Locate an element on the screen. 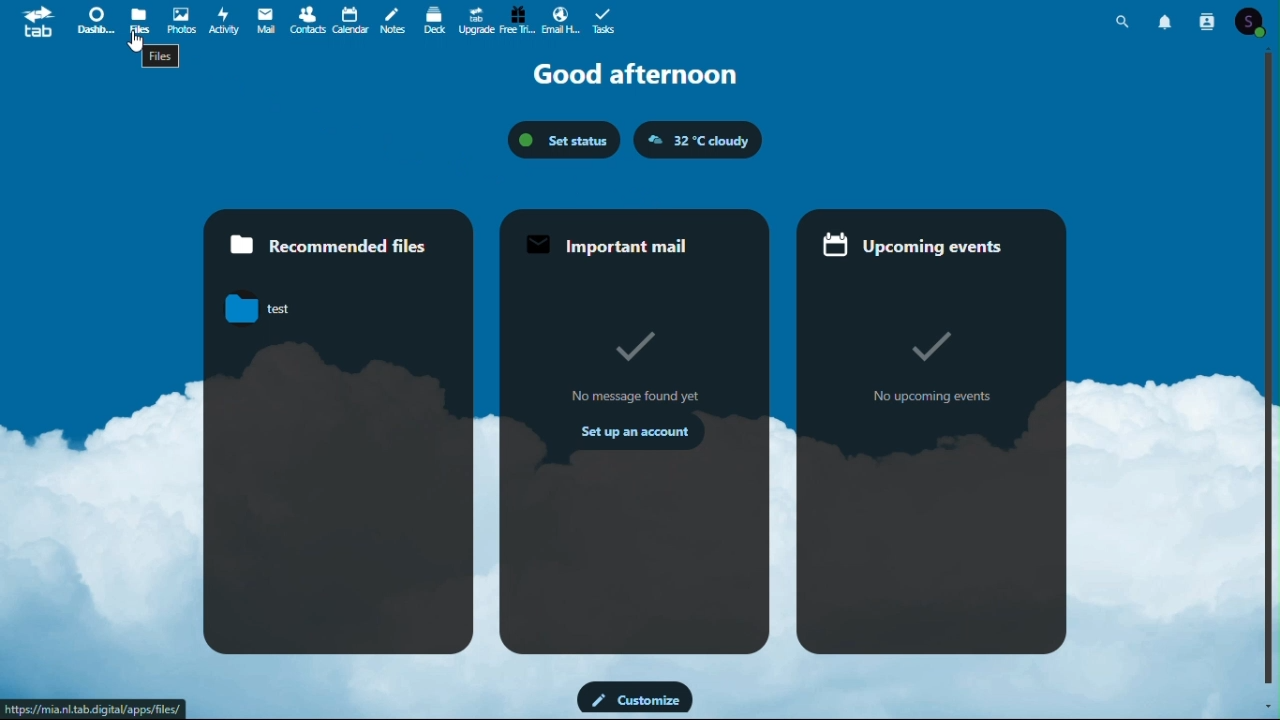 The height and width of the screenshot is (720, 1280). right option is located at coordinates (923, 332).